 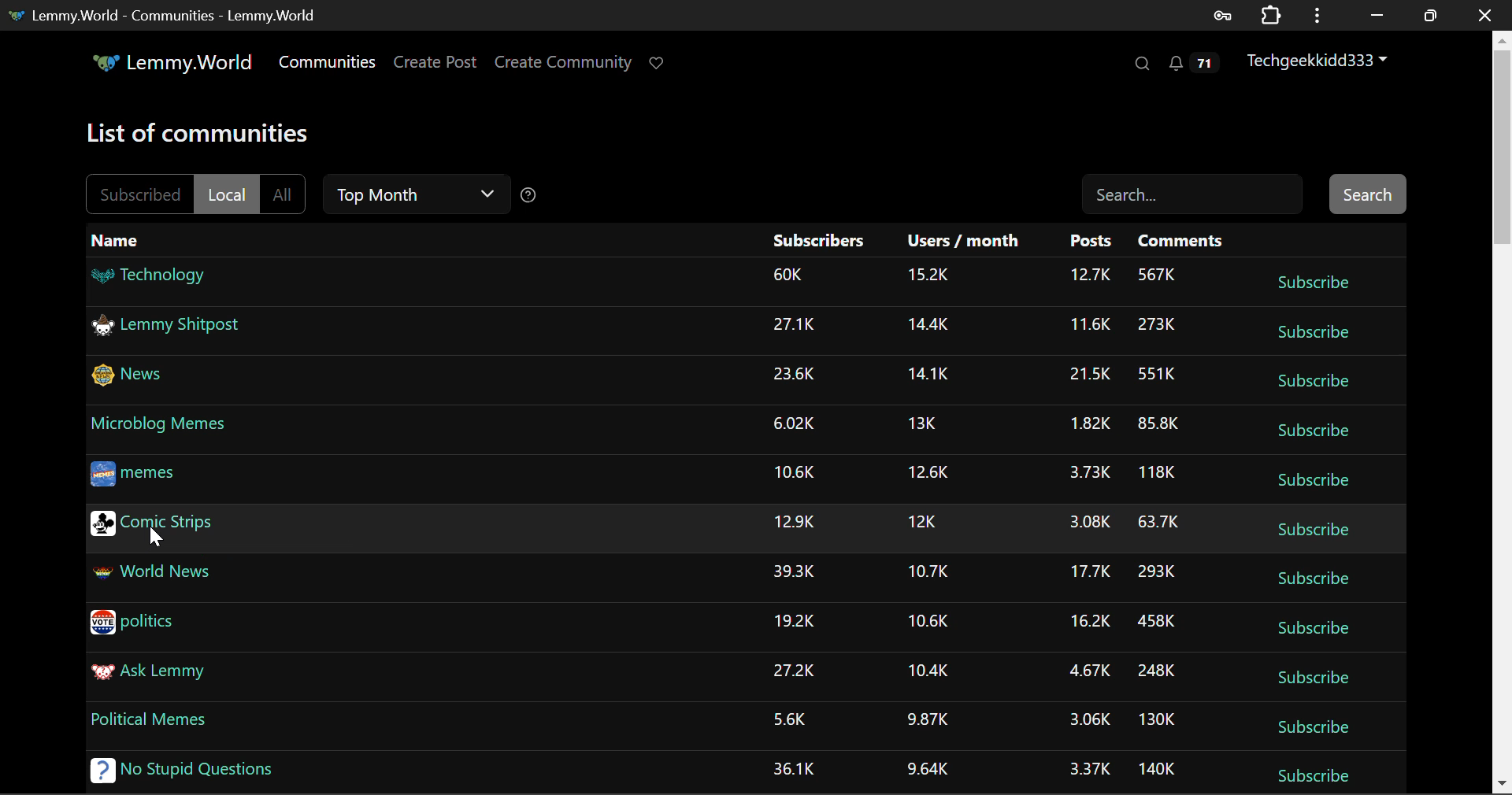 I want to click on Posts, so click(x=1095, y=243).